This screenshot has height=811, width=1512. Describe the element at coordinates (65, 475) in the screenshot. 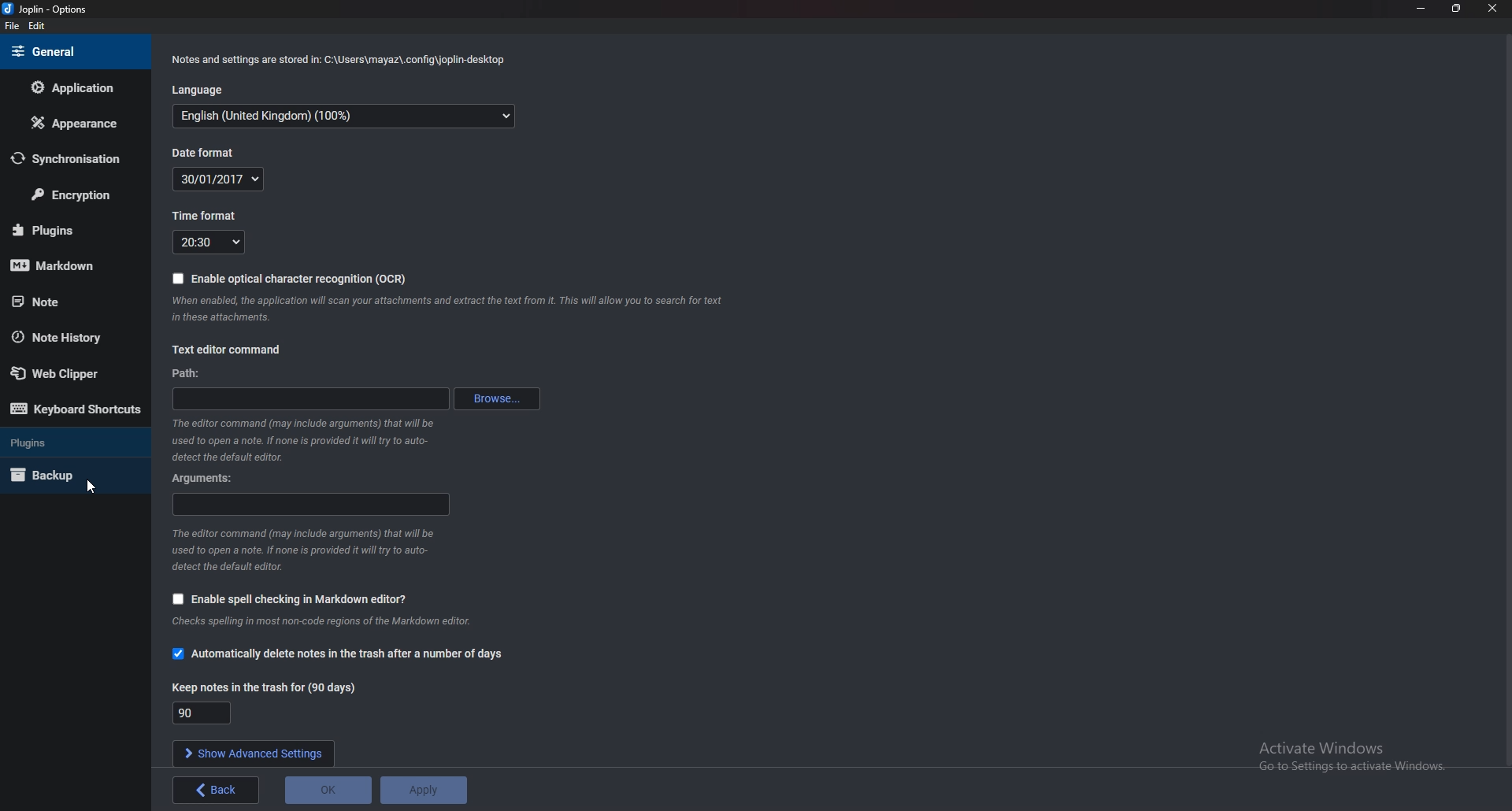

I see `Back up` at that location.